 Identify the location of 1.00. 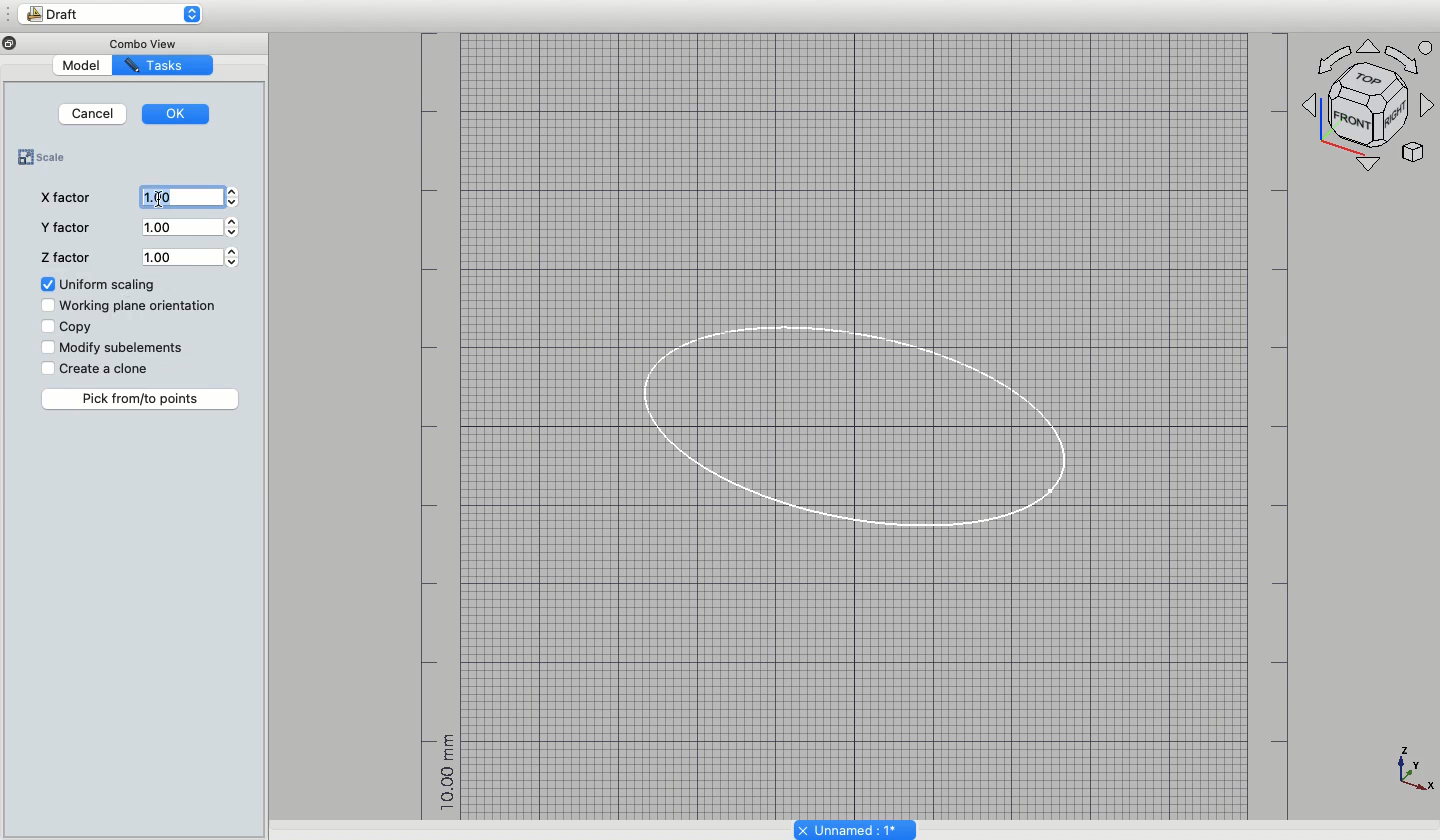
(191, 256).